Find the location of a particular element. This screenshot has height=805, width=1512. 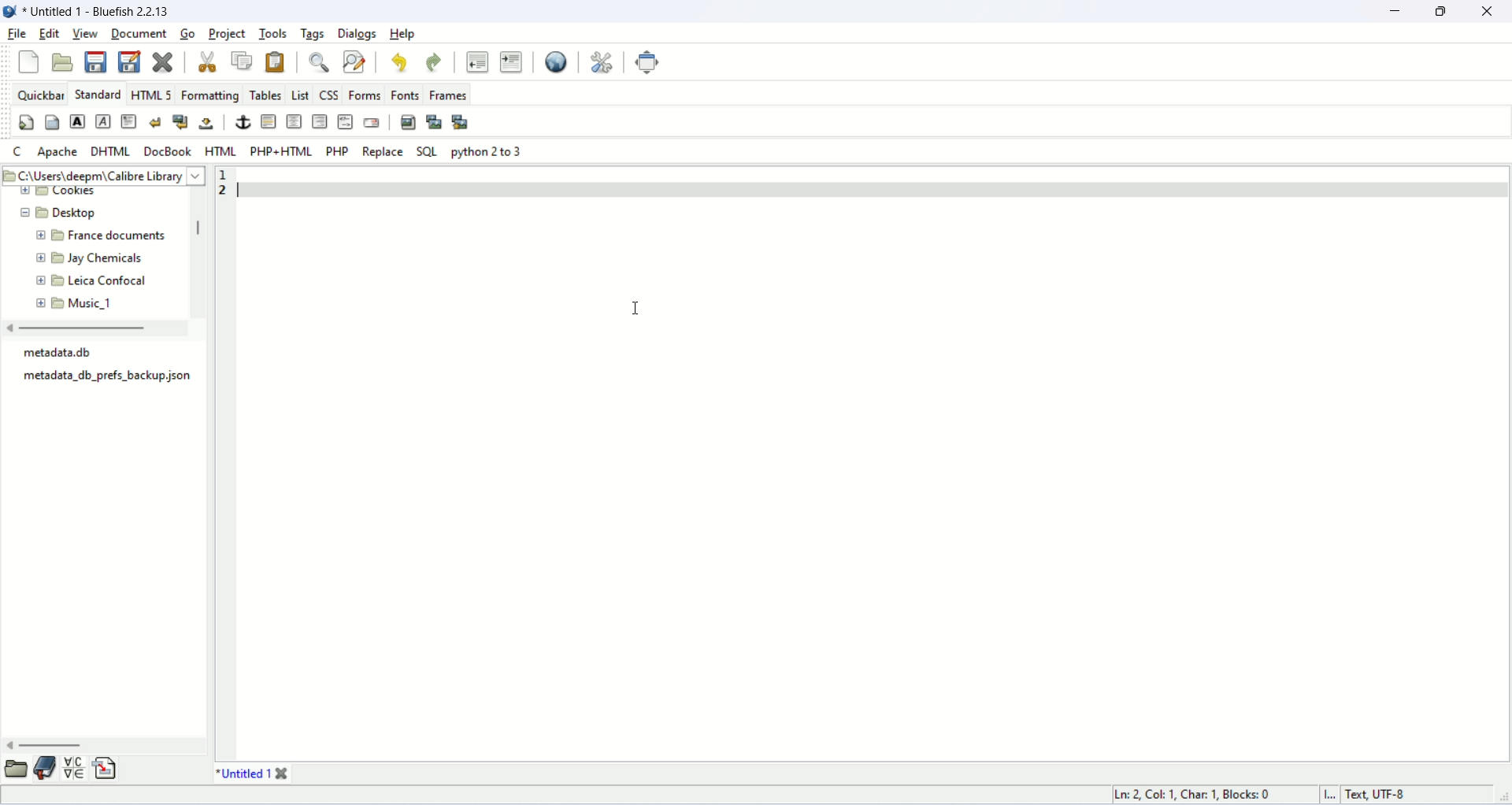

indent is located at coordinates (512, 61).